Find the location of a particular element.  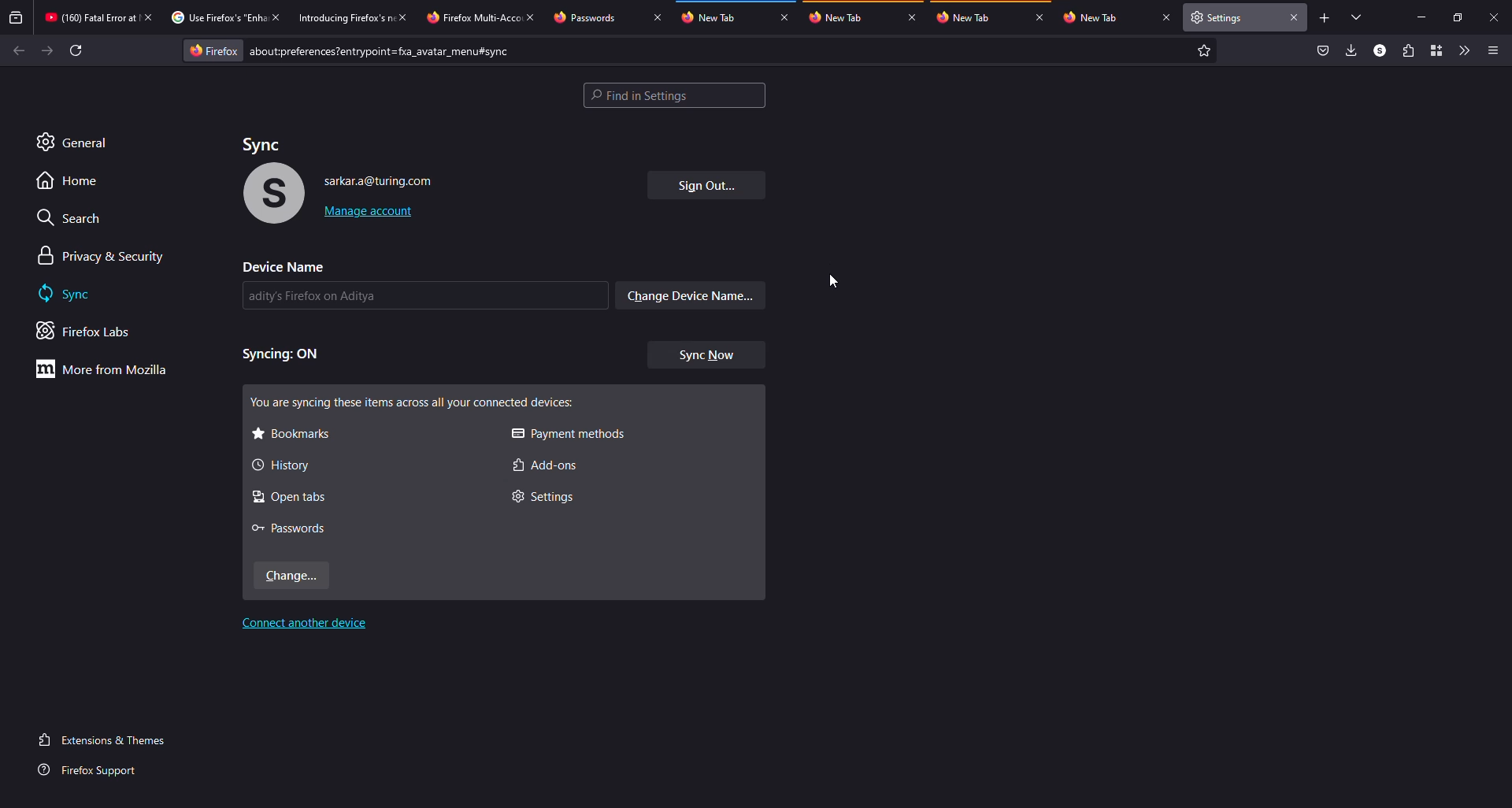

firefox is located at coordinates (213, 50).